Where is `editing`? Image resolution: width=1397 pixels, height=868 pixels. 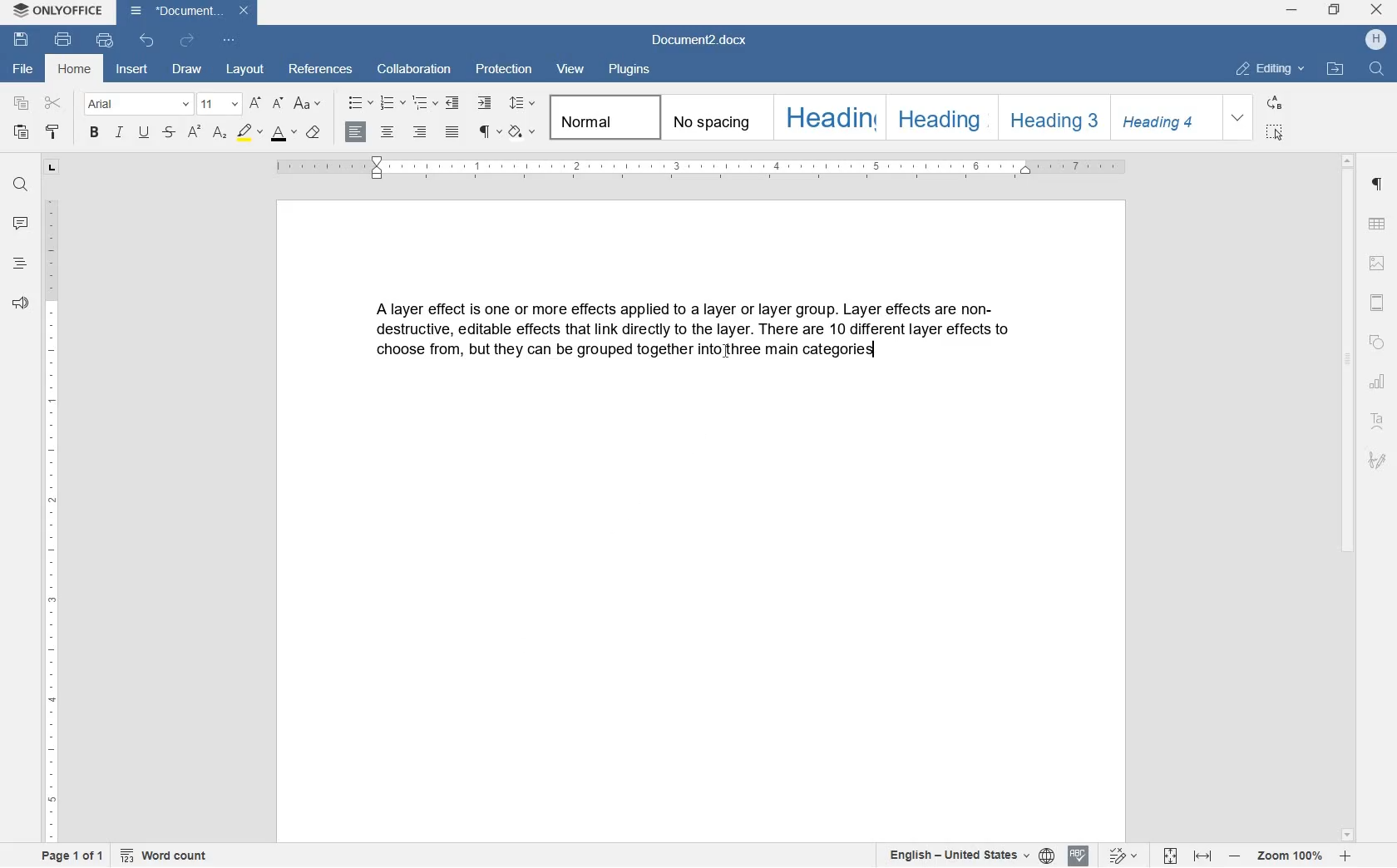
editing is located at coordinates (1273, 70).